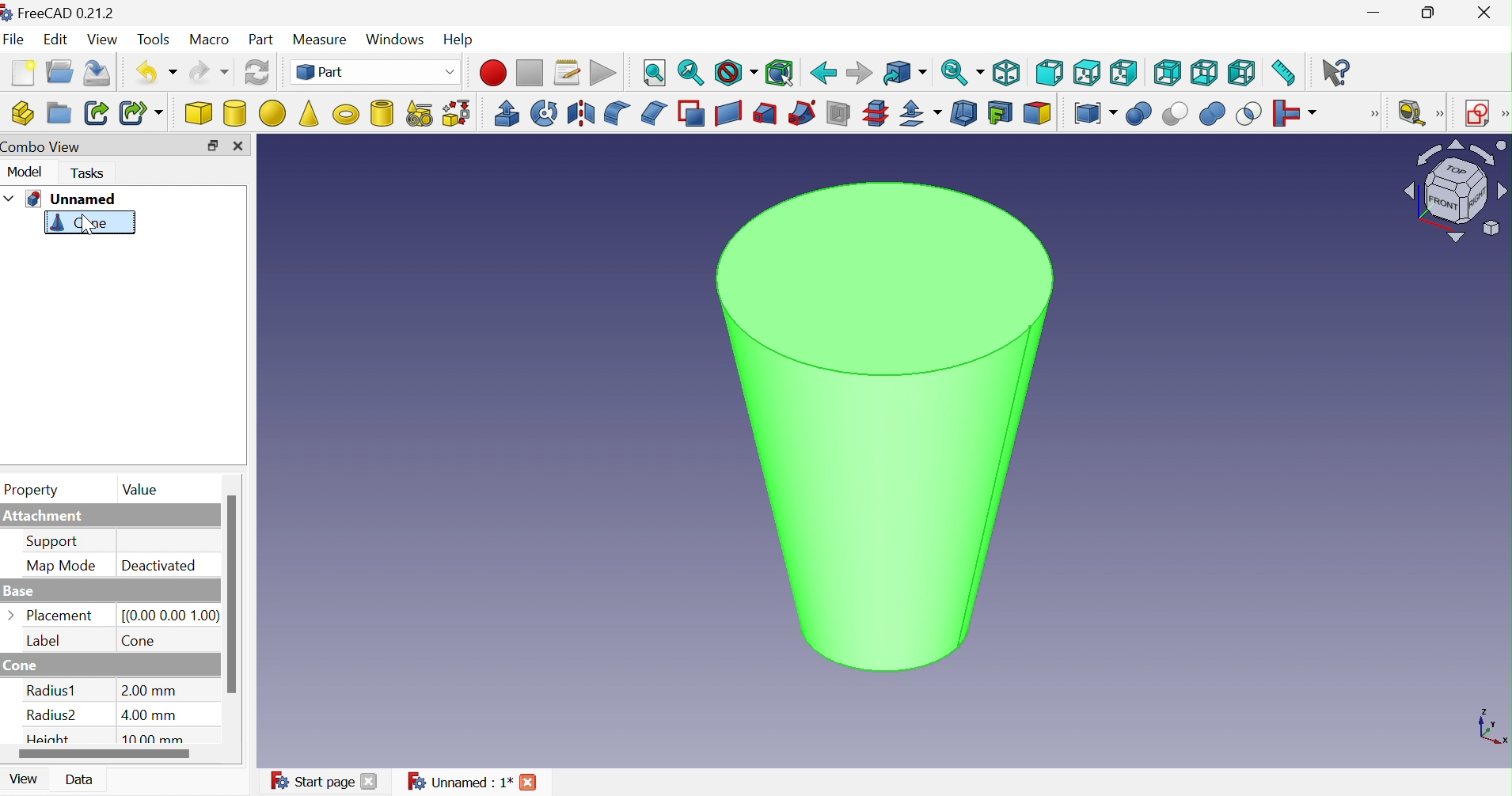 The height and width of the screenshot is (796, 1512). Describe the element at coordinates (1249, 116) in the screenshot. I see `Intersection` at that location.